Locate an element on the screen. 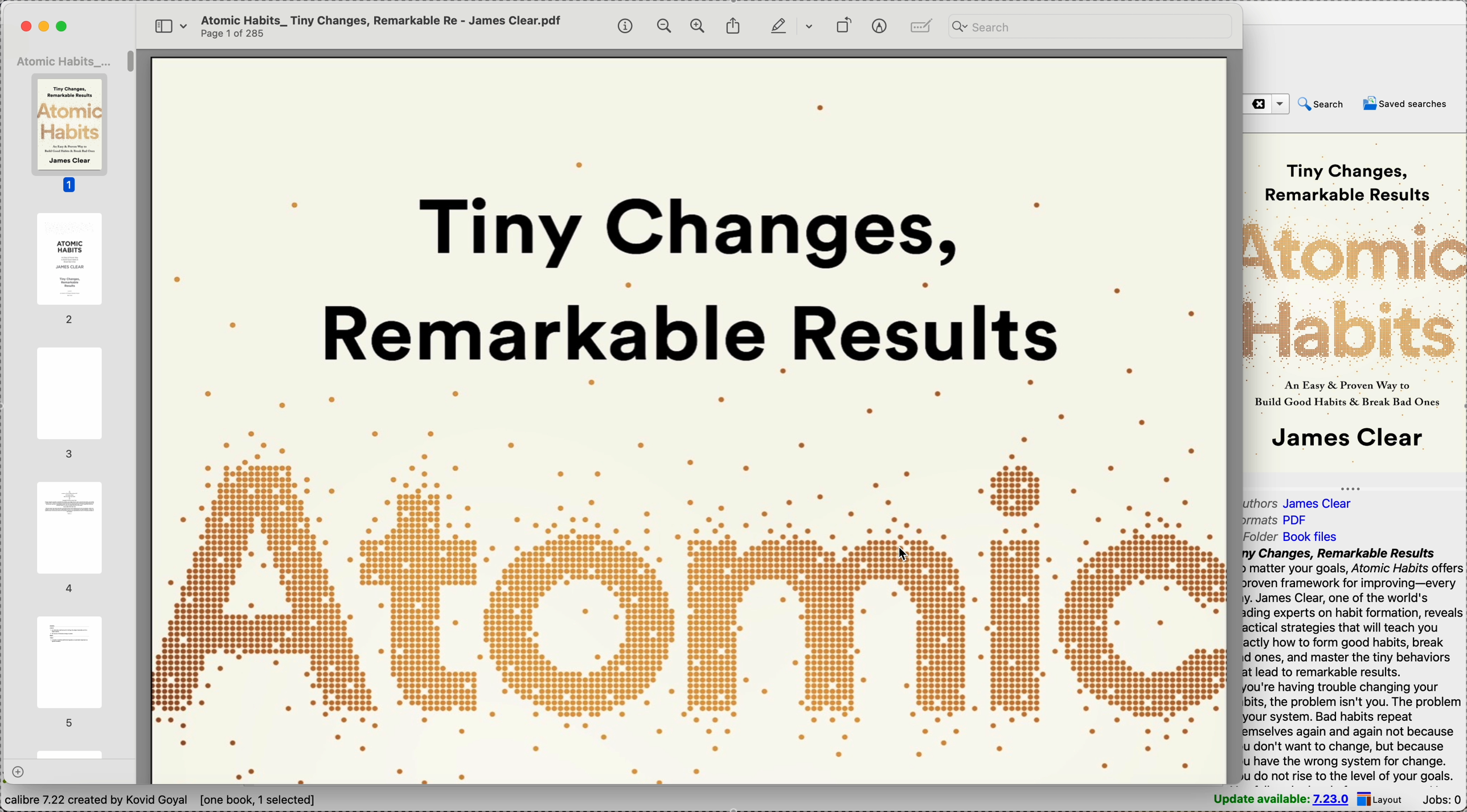 This screenshot has width=1467, height=812. scroll bar is located at coordinates (133, 67).